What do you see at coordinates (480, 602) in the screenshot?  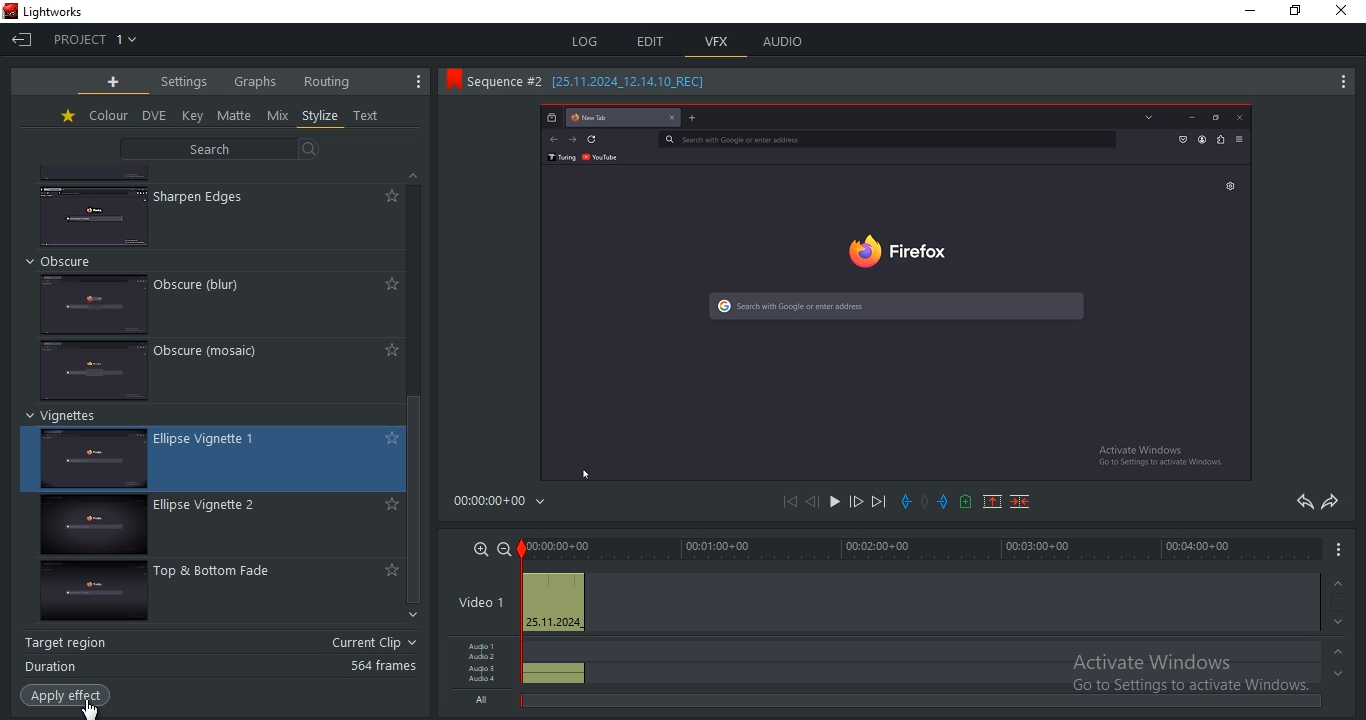 I see `Video 1` at bounding box center [480, 602].